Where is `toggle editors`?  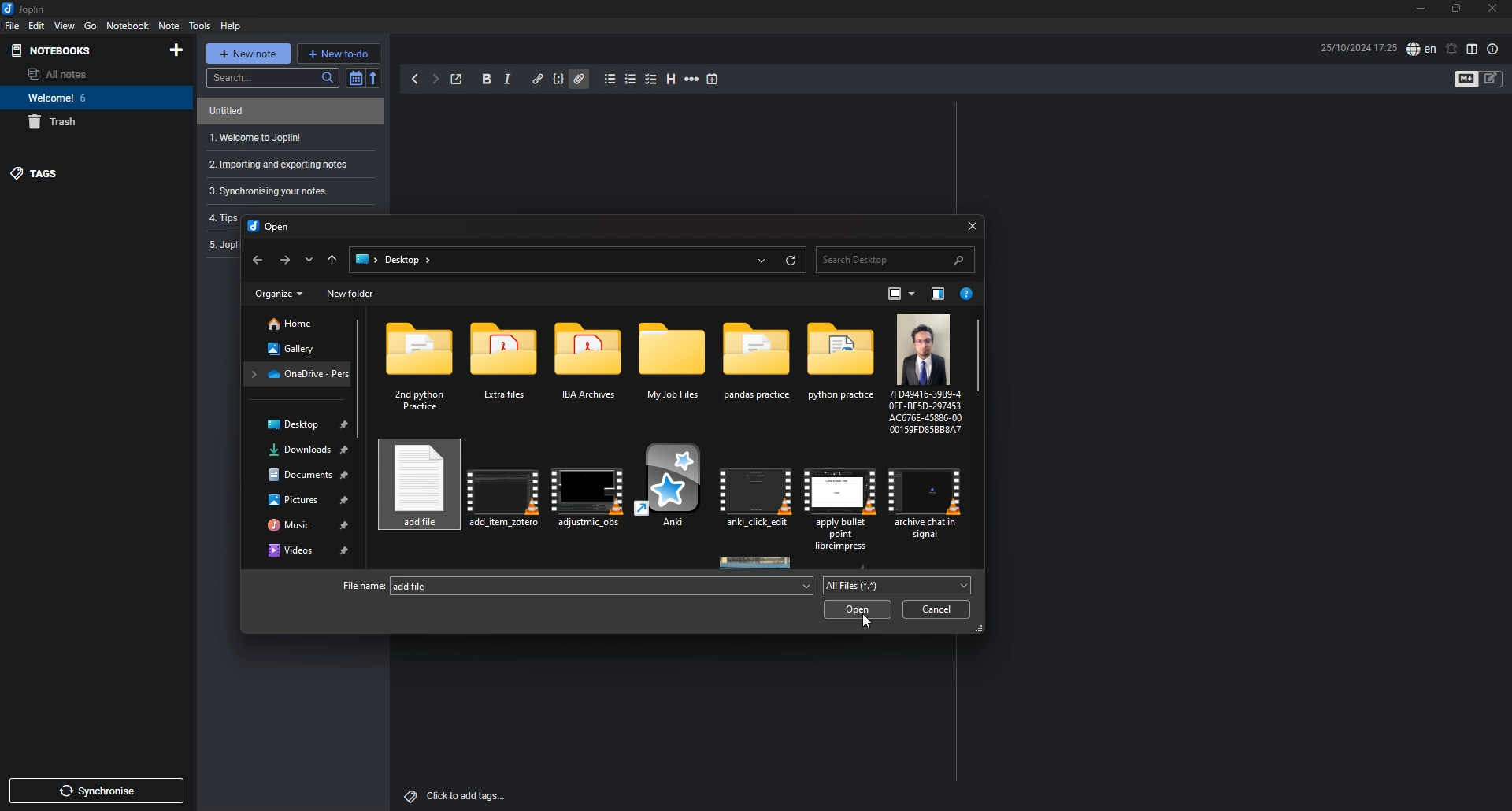 toggle editors is located at coordinates (1491, 78).